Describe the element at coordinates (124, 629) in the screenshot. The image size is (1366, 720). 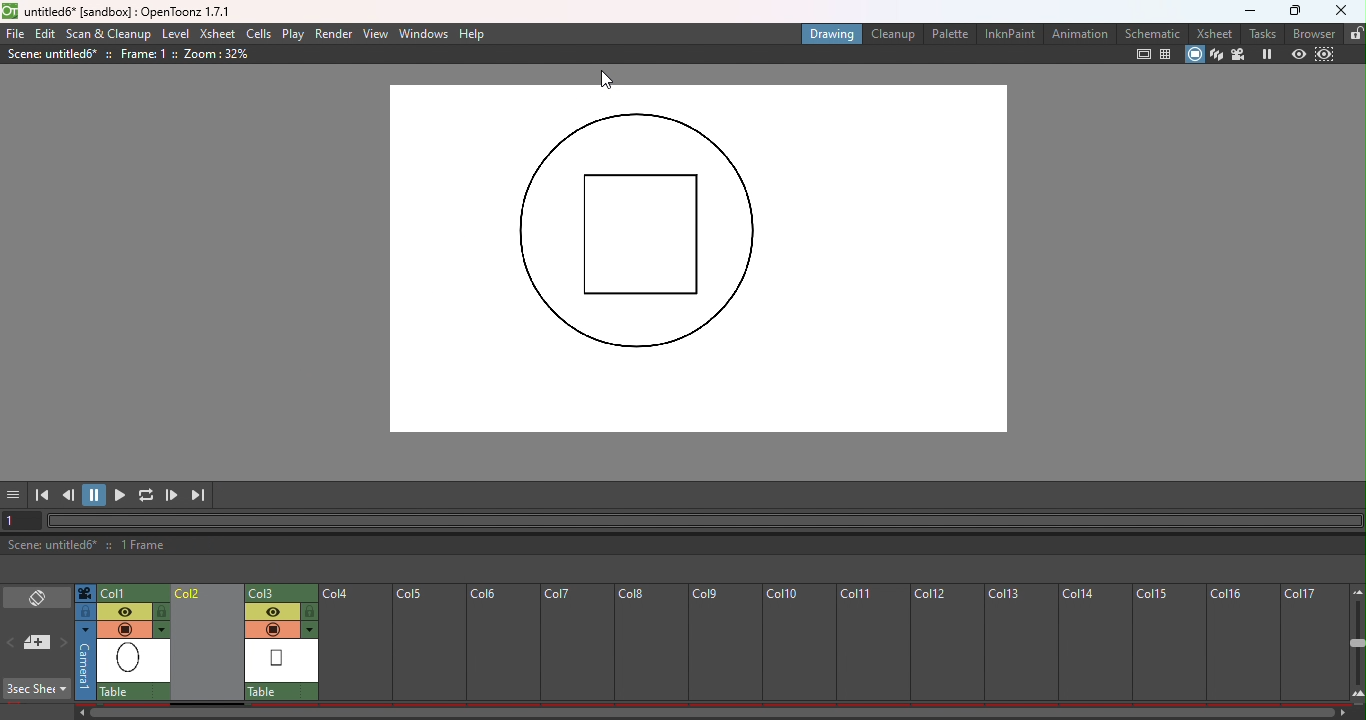
I see `Camera stand visibility toggle` at that location.